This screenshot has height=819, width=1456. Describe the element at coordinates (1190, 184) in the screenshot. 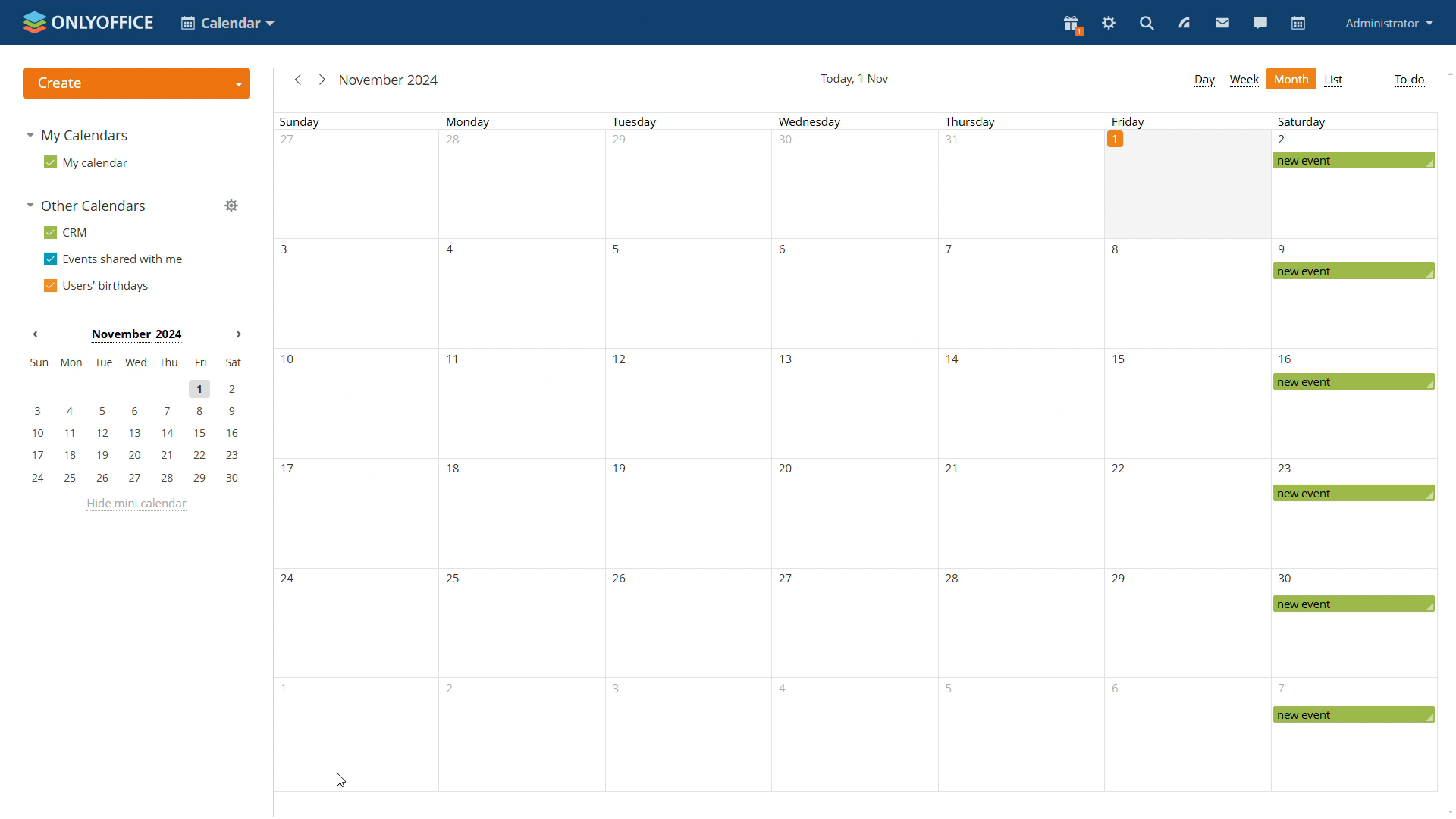

I see `Current date: Friday` at that location.